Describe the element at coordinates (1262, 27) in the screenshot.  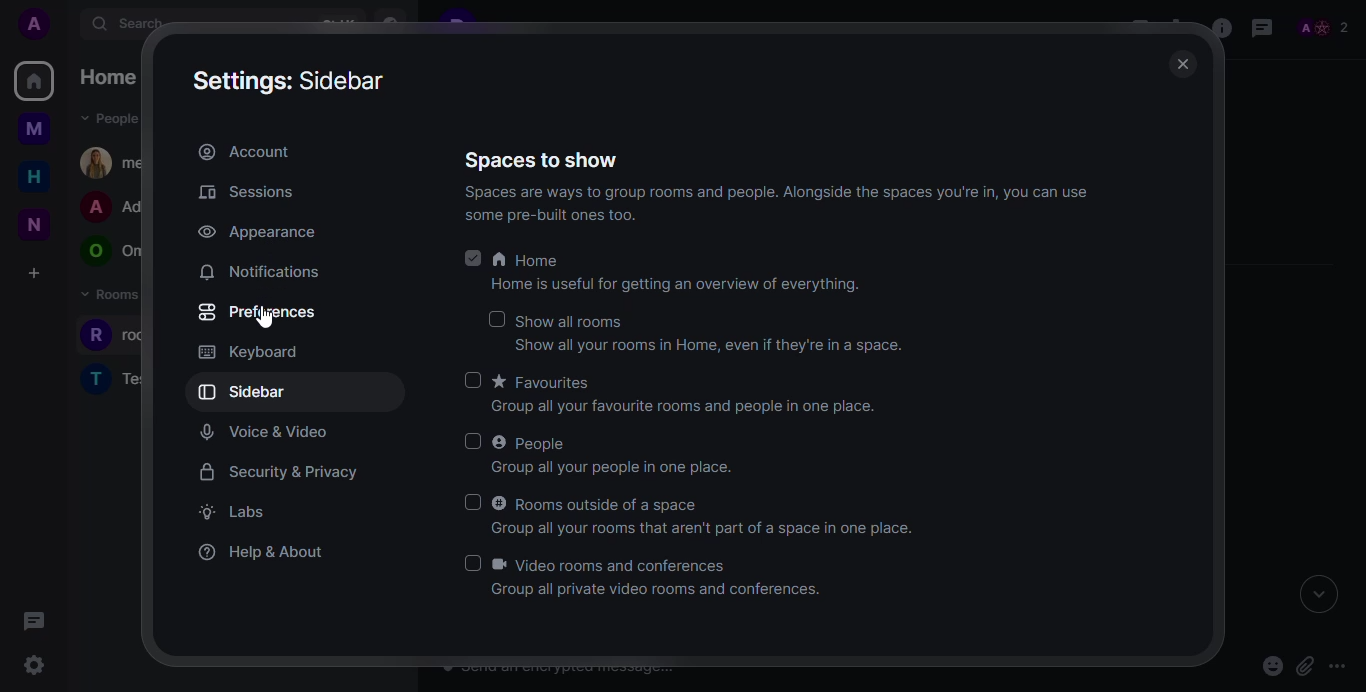
I see `threads` at that location.